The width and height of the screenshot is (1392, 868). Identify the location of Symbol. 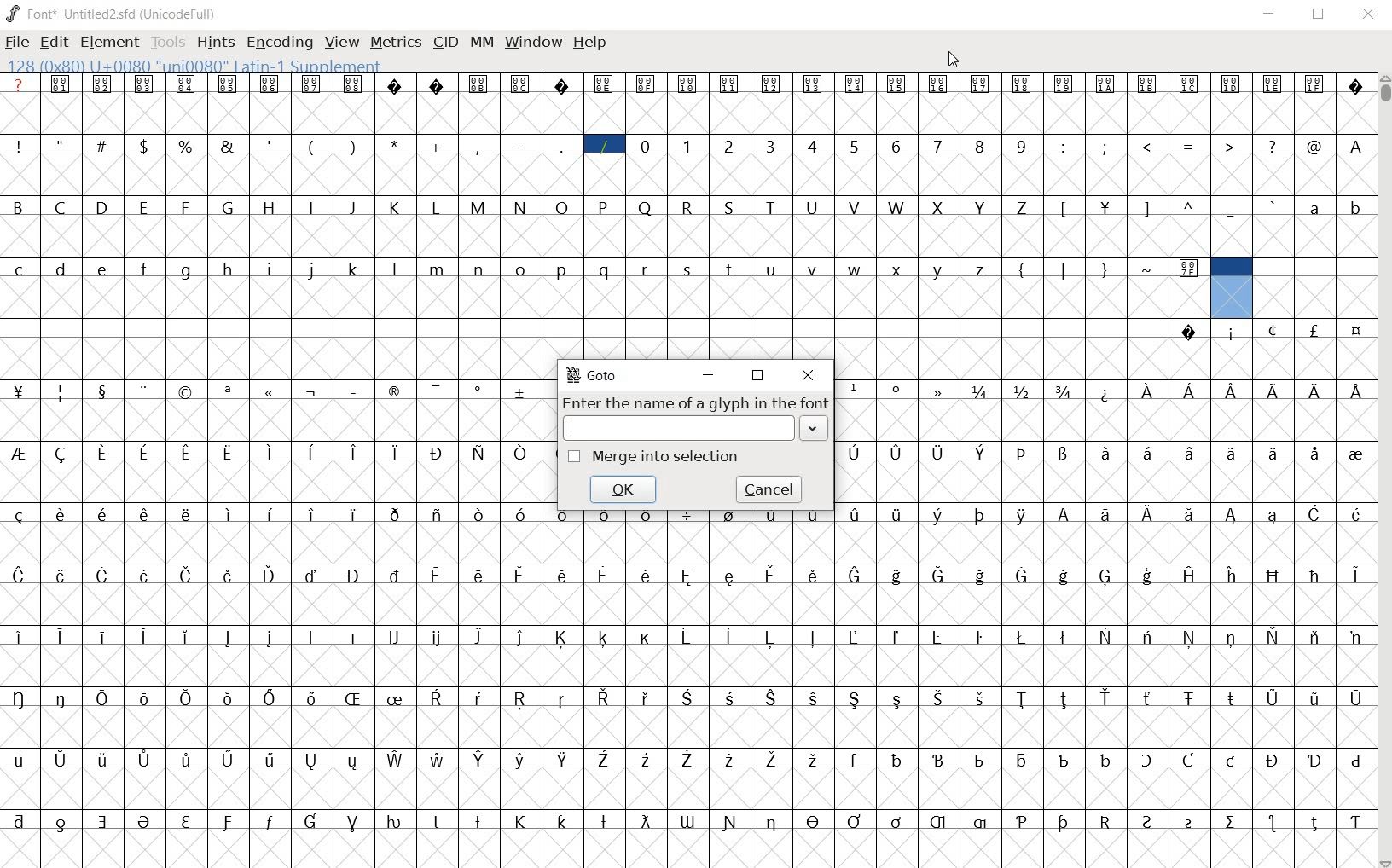
(1065, 635).